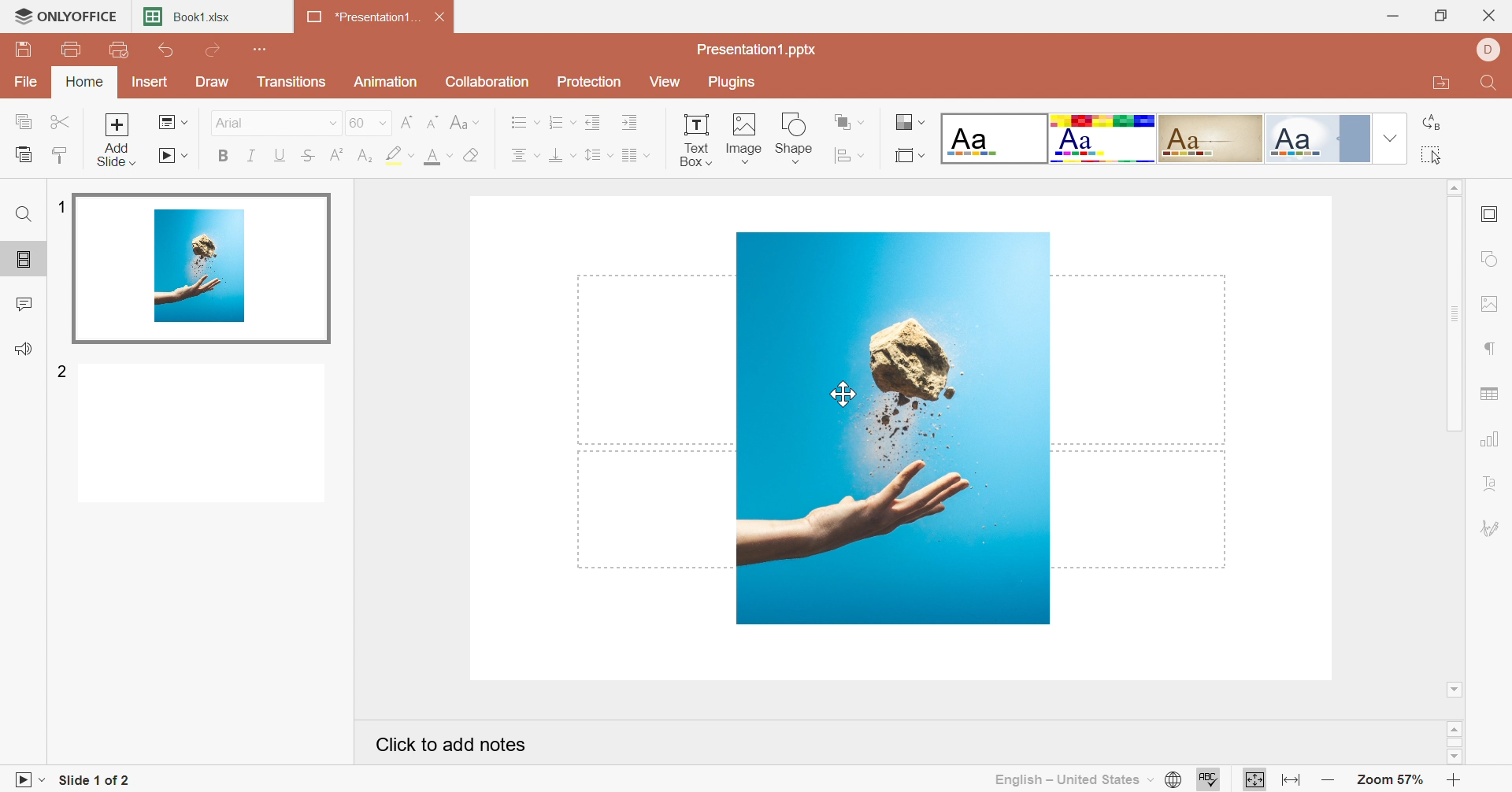 This screenshot has height=792, width=1512. What do you see at coordinates (636, 154) in the screenshot?
I see `Insert columns` at bounding box center [636, 154].